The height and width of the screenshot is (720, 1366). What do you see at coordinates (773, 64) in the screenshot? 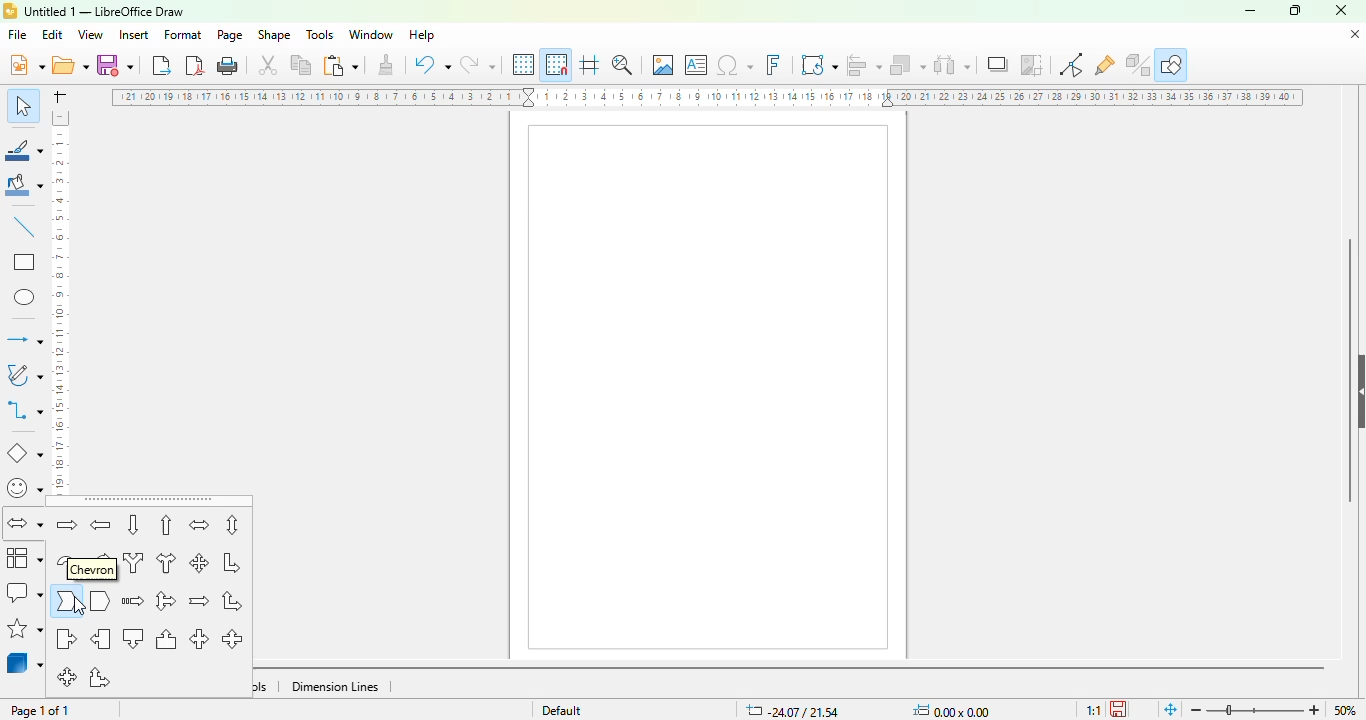
I see `insert fontwork text` at bounding box center [773, 64].